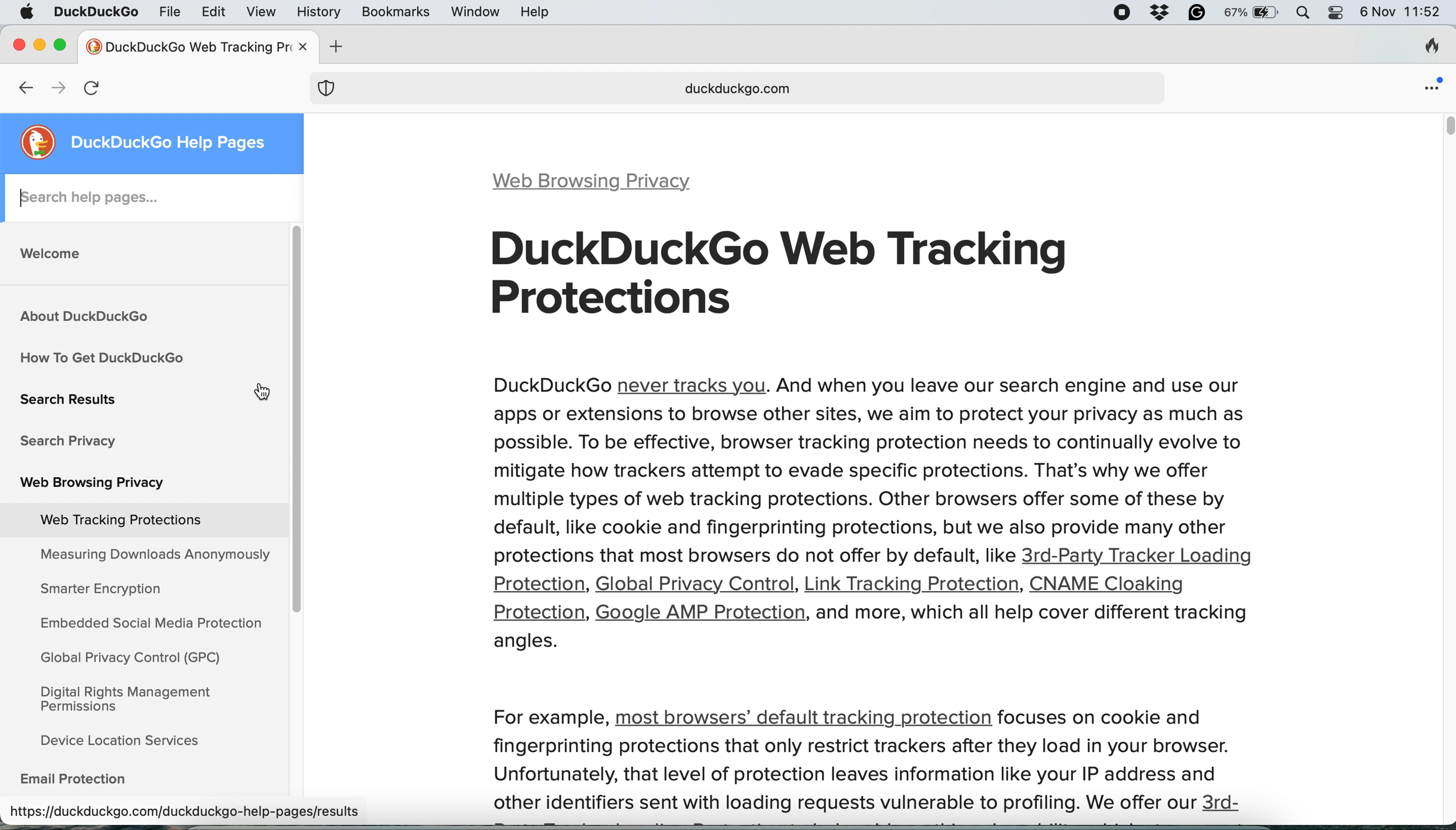 The height and width of the screenshot is (830, 1456). Describe the element at coordinates (869, 779) in the screenshot. I see `text` at that location.